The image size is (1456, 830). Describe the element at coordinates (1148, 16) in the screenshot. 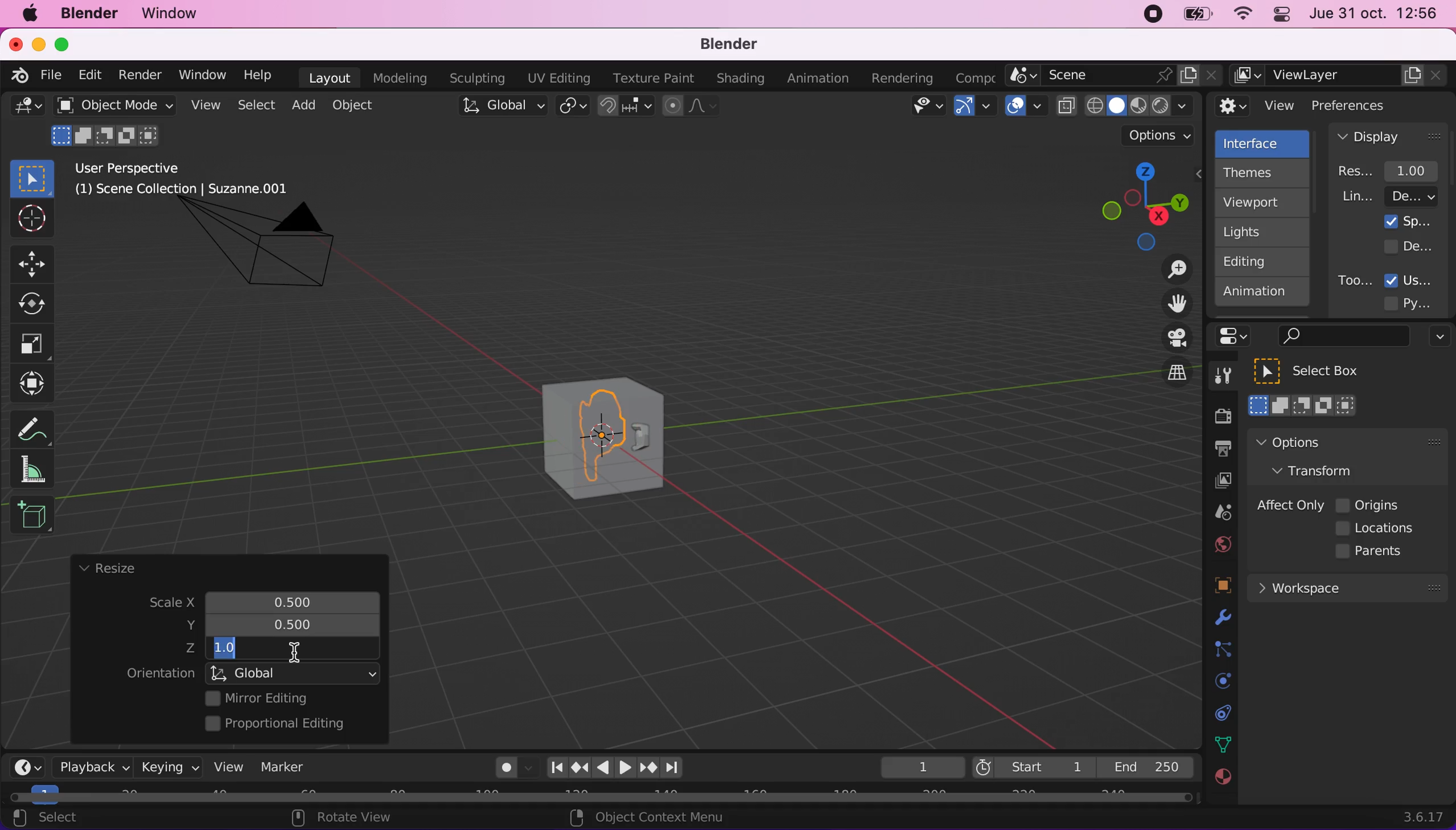

I see `recording stopped` at that location.